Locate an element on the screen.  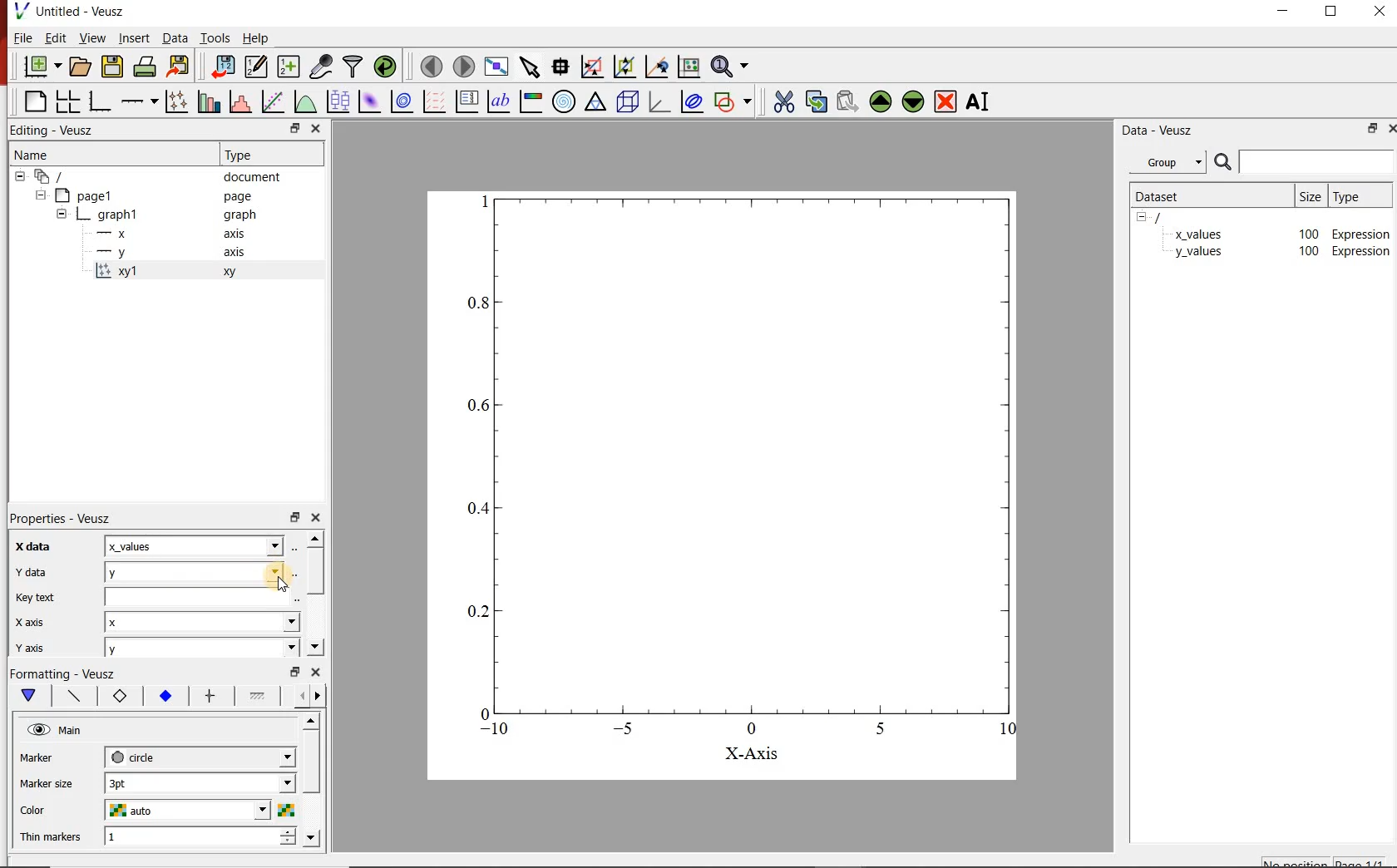
 Properties - Veusz is located at coordinates (65, 518).